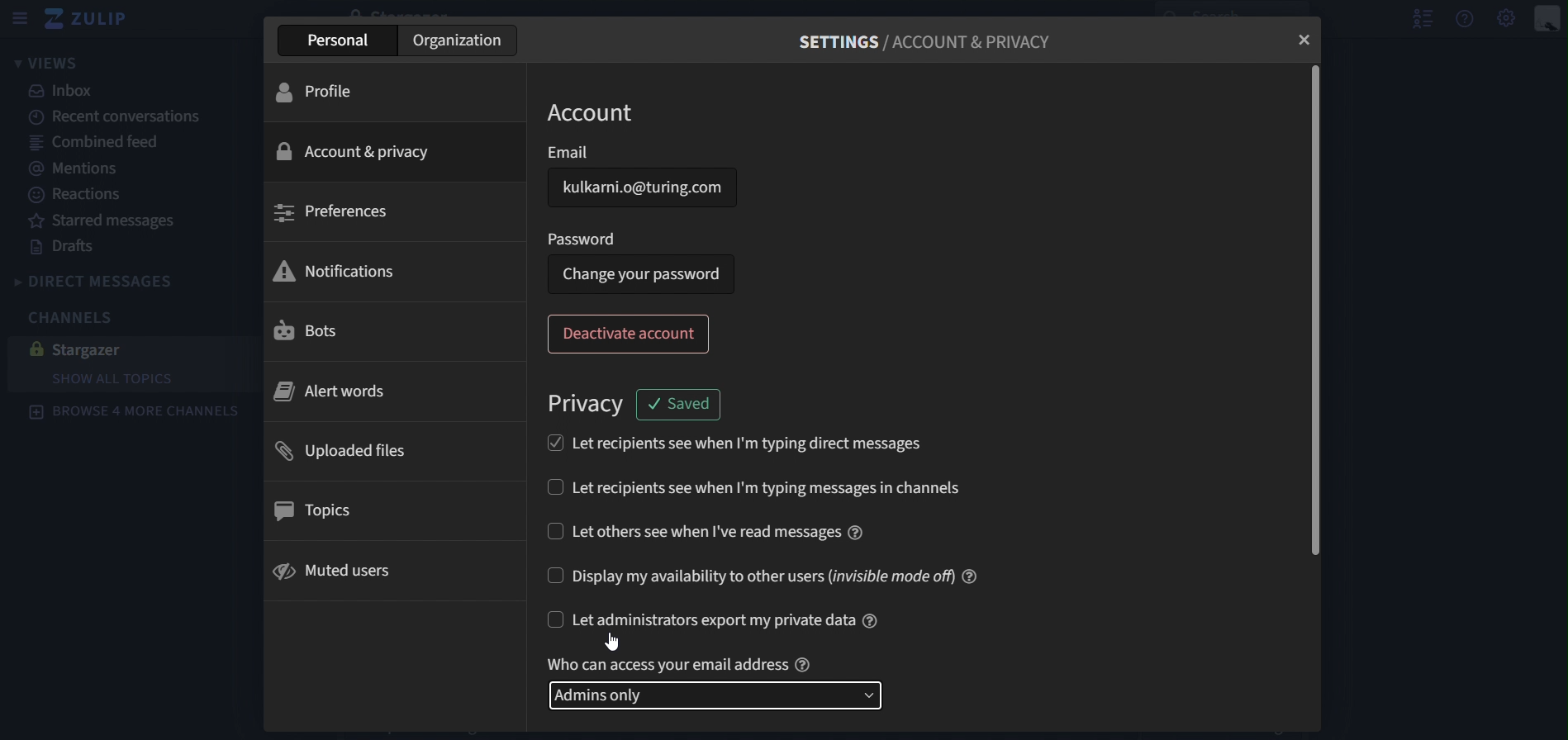 Image resolution: width=1568 pixels, height=740 pixels. Describe the element at coordinates (46, 64) in the screenshot. I see `views` at that location.